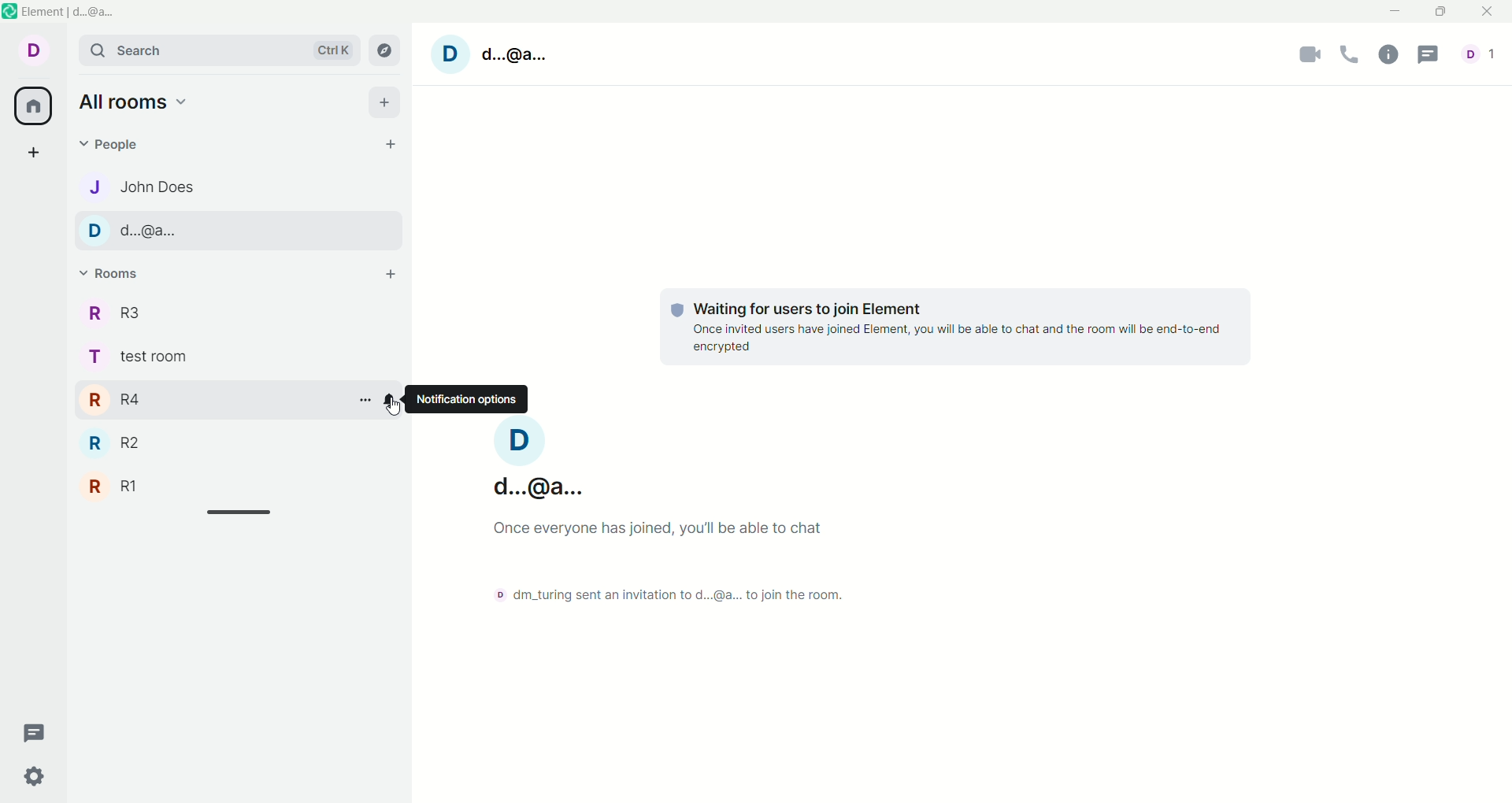 The width and height of the screenshot is (1512, 803). I want to click on Element | d..@a..., so click(69, 13).